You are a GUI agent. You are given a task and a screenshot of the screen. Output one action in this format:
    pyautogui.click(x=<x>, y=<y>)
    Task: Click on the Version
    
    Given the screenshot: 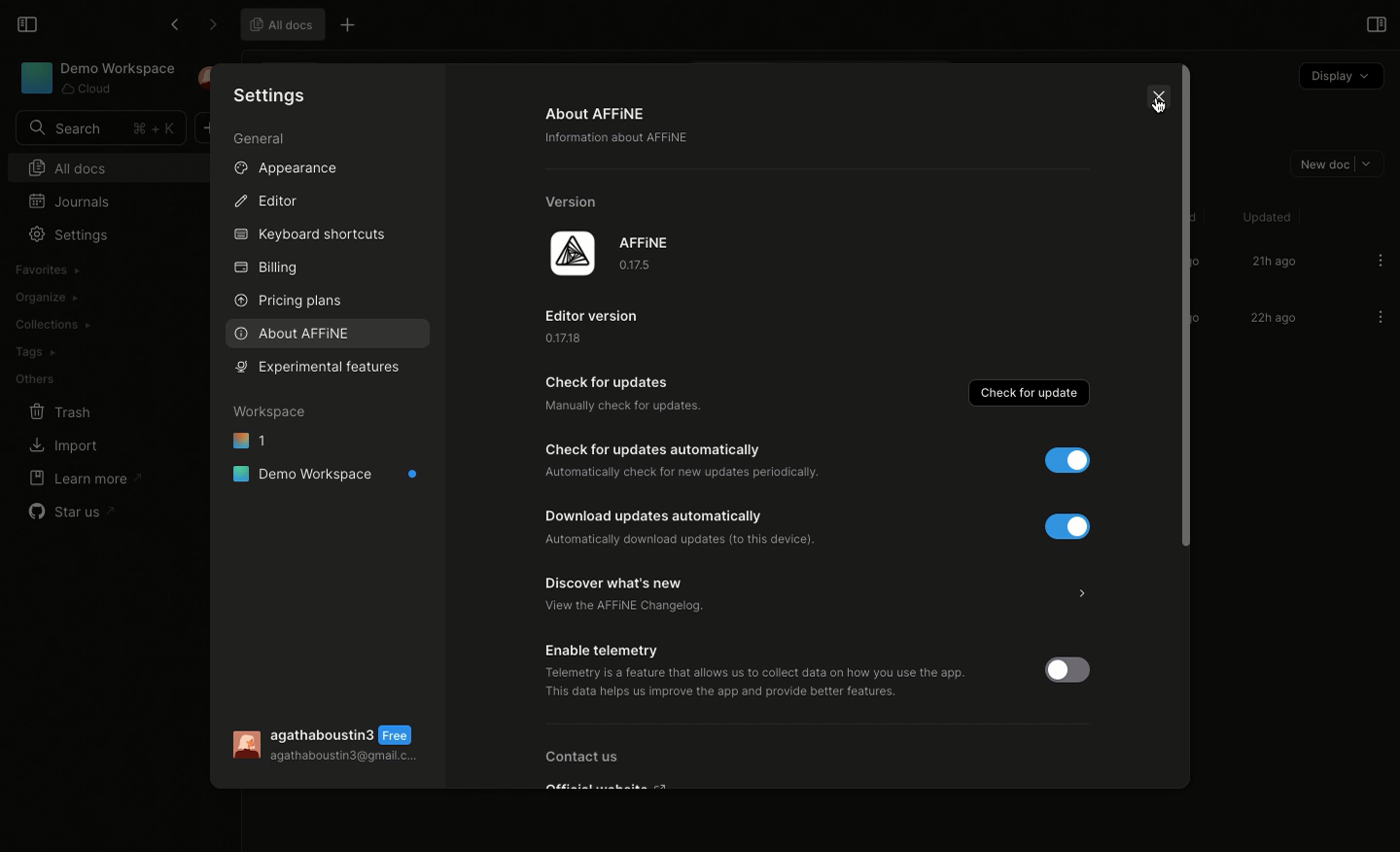 What is the action you would take?
    pyautogui.click(x=577, y=201)
    